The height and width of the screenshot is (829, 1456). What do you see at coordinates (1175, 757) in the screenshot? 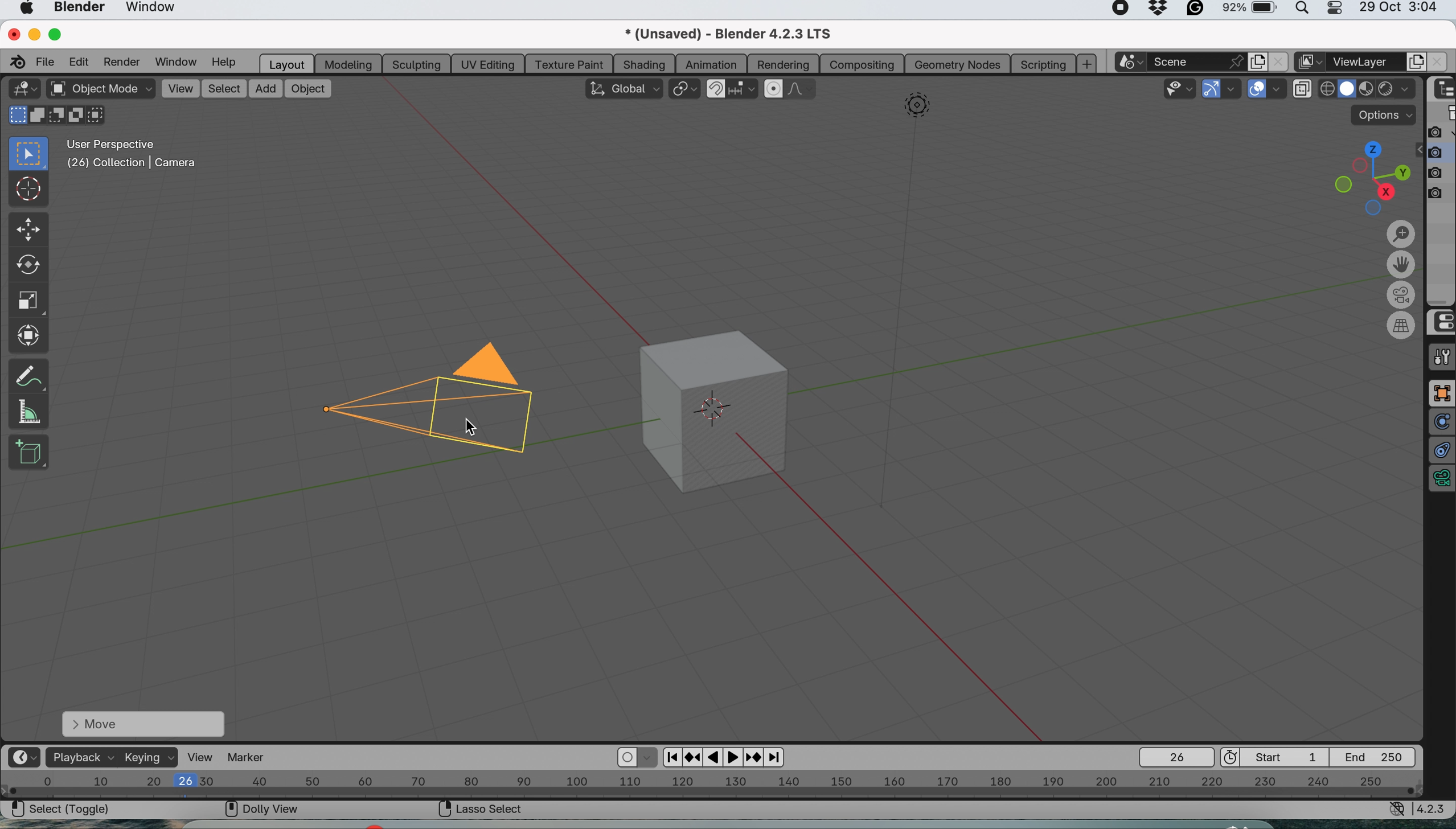
I see `current frame` at bounding box center [1175, 757].